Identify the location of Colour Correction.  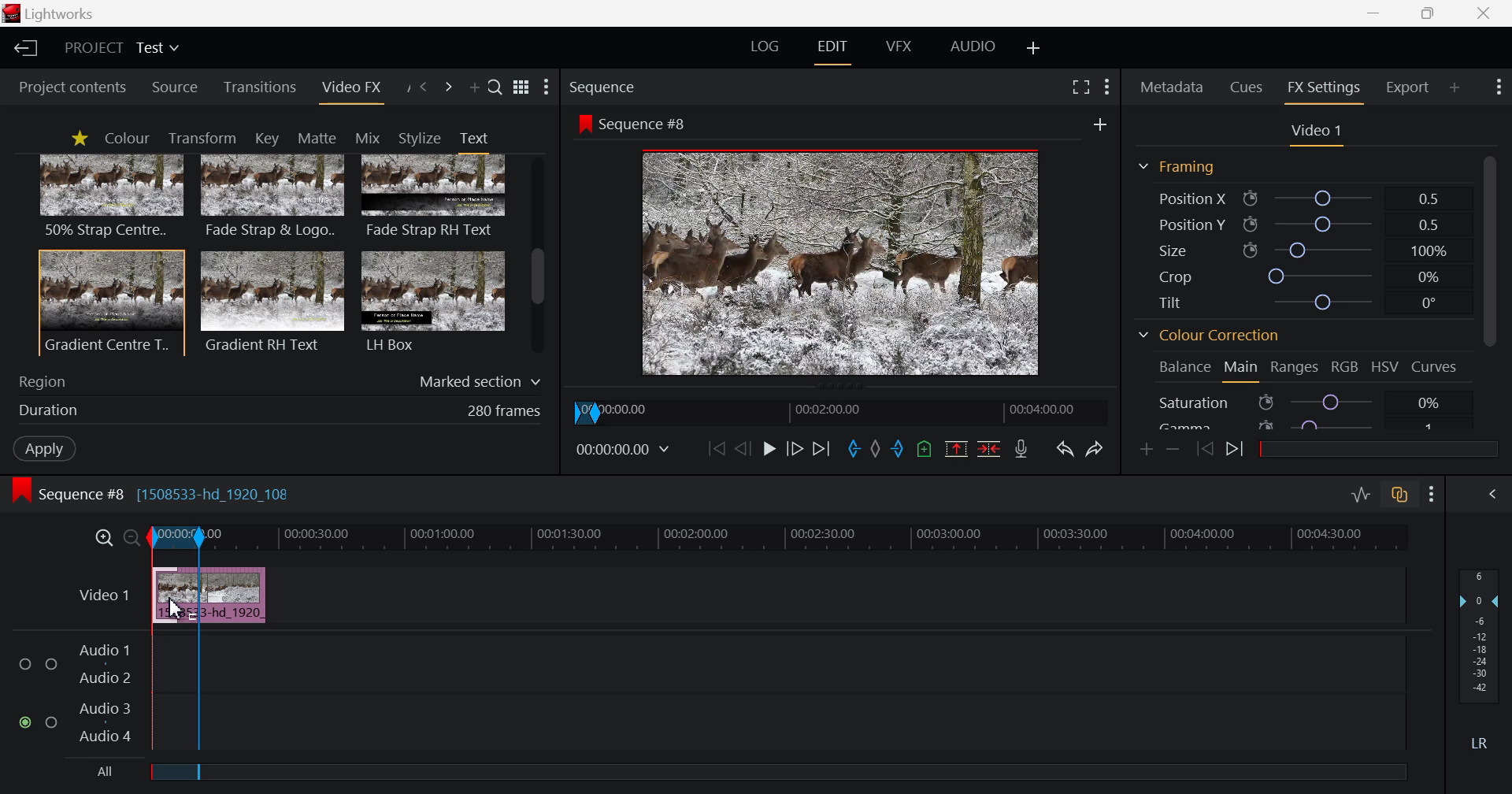
(1214, 338).